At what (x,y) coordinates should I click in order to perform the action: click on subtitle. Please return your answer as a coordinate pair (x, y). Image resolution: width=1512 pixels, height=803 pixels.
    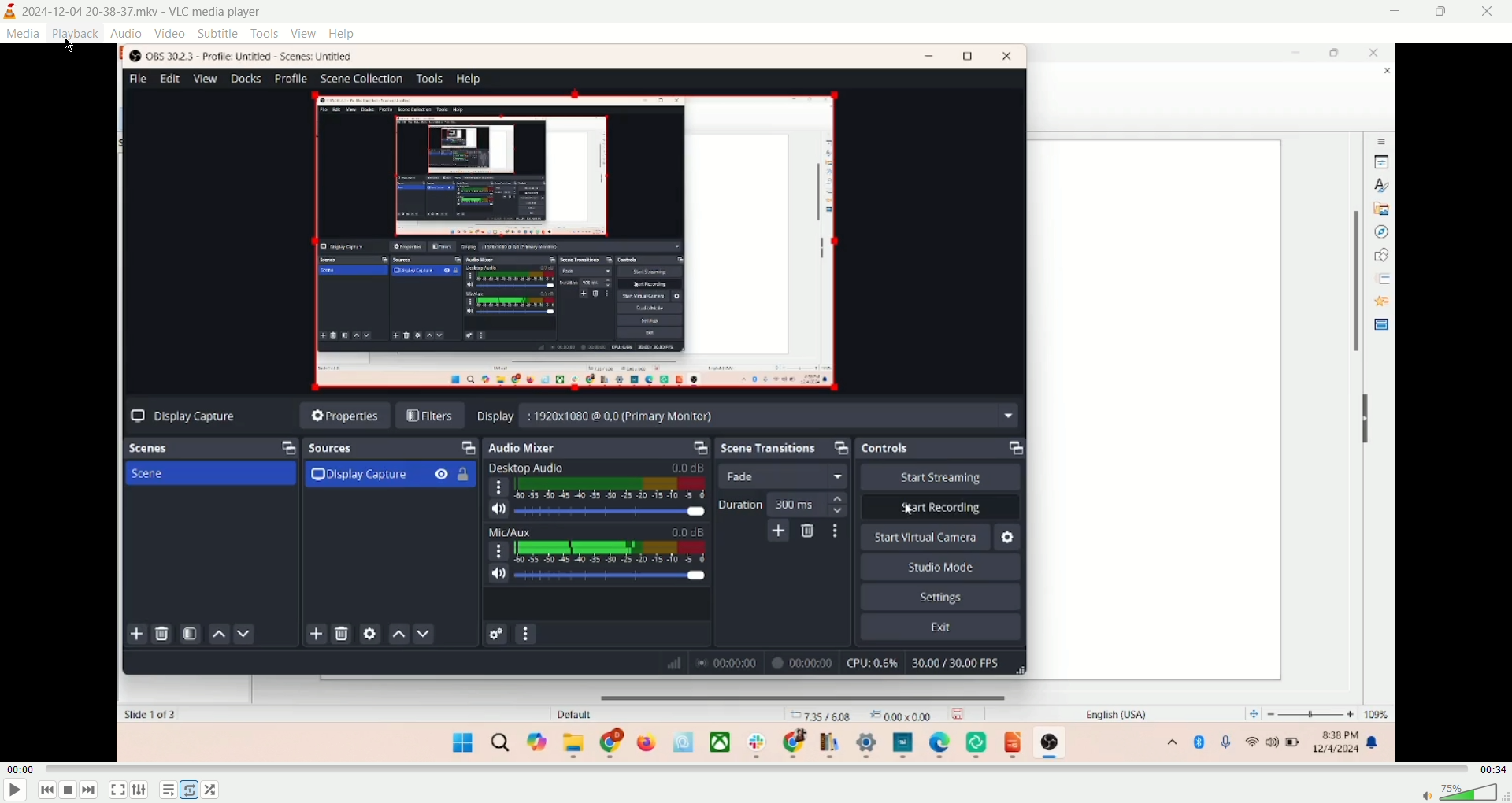
    Looking at the image, I should click on (217, 33).